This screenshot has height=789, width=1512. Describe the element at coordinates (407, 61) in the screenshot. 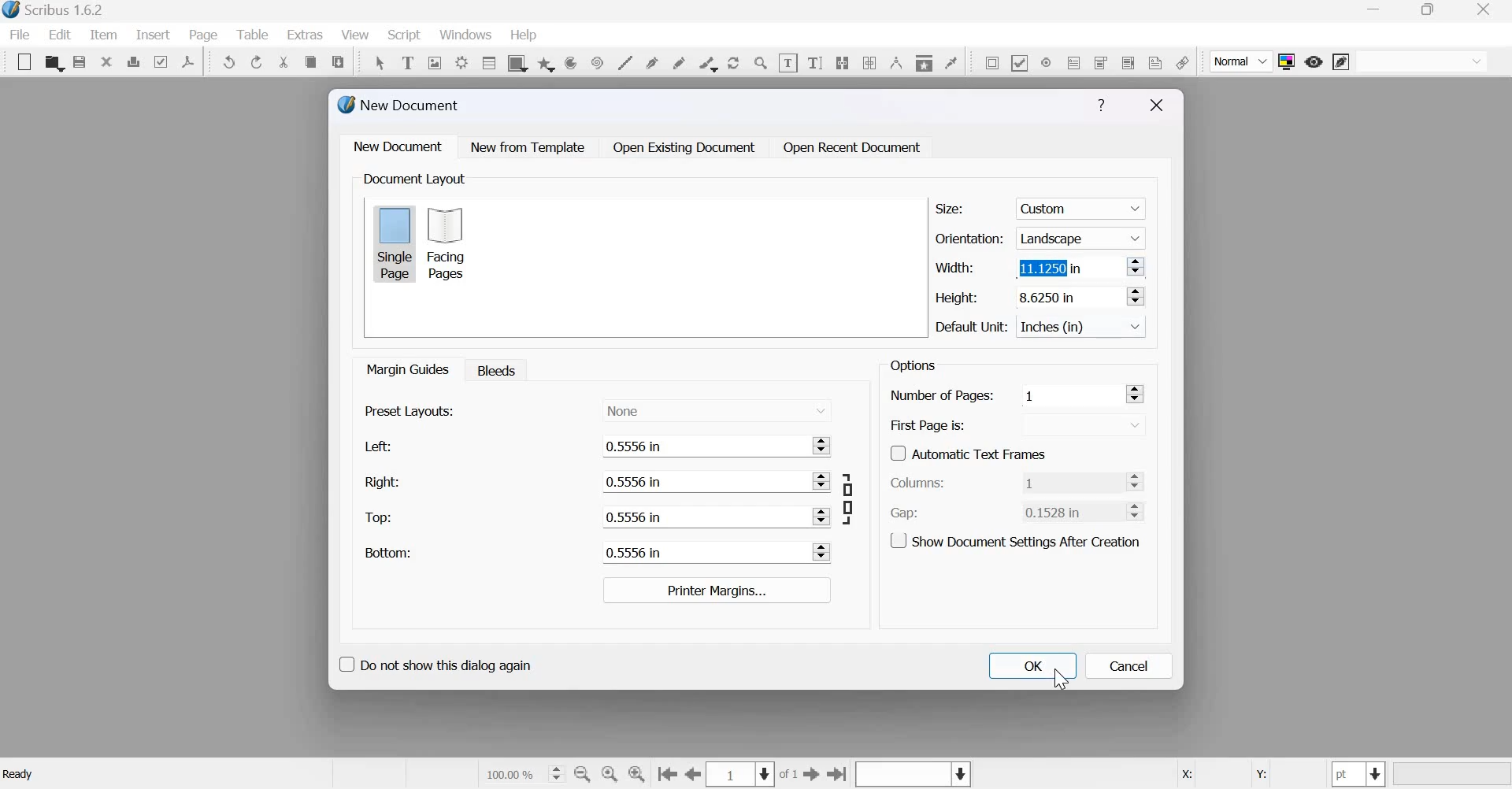

I see `Text frame` at that location.